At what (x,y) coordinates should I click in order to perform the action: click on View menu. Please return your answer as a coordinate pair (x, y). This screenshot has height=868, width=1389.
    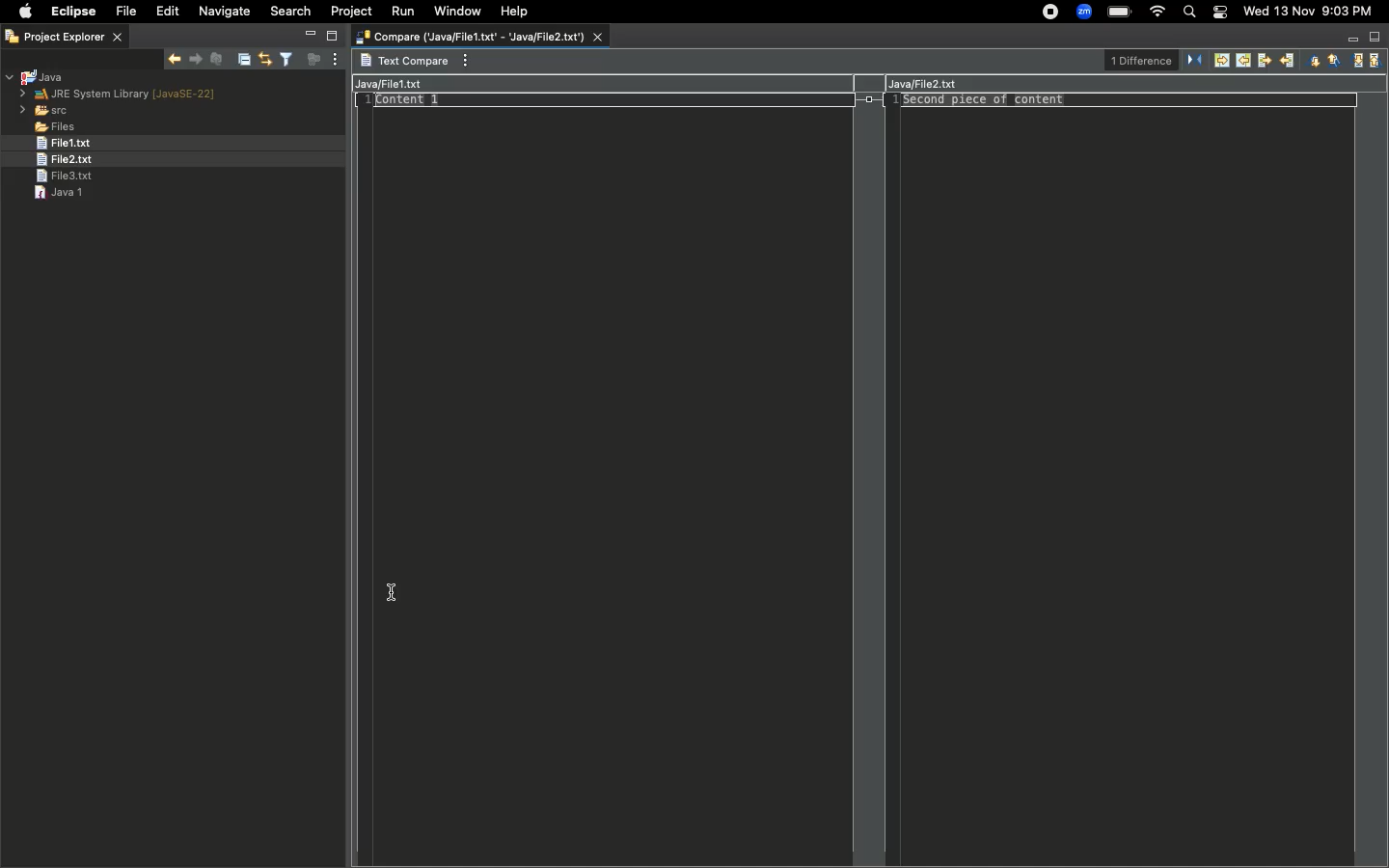
    Looking at the image, I should click on (333, 60).